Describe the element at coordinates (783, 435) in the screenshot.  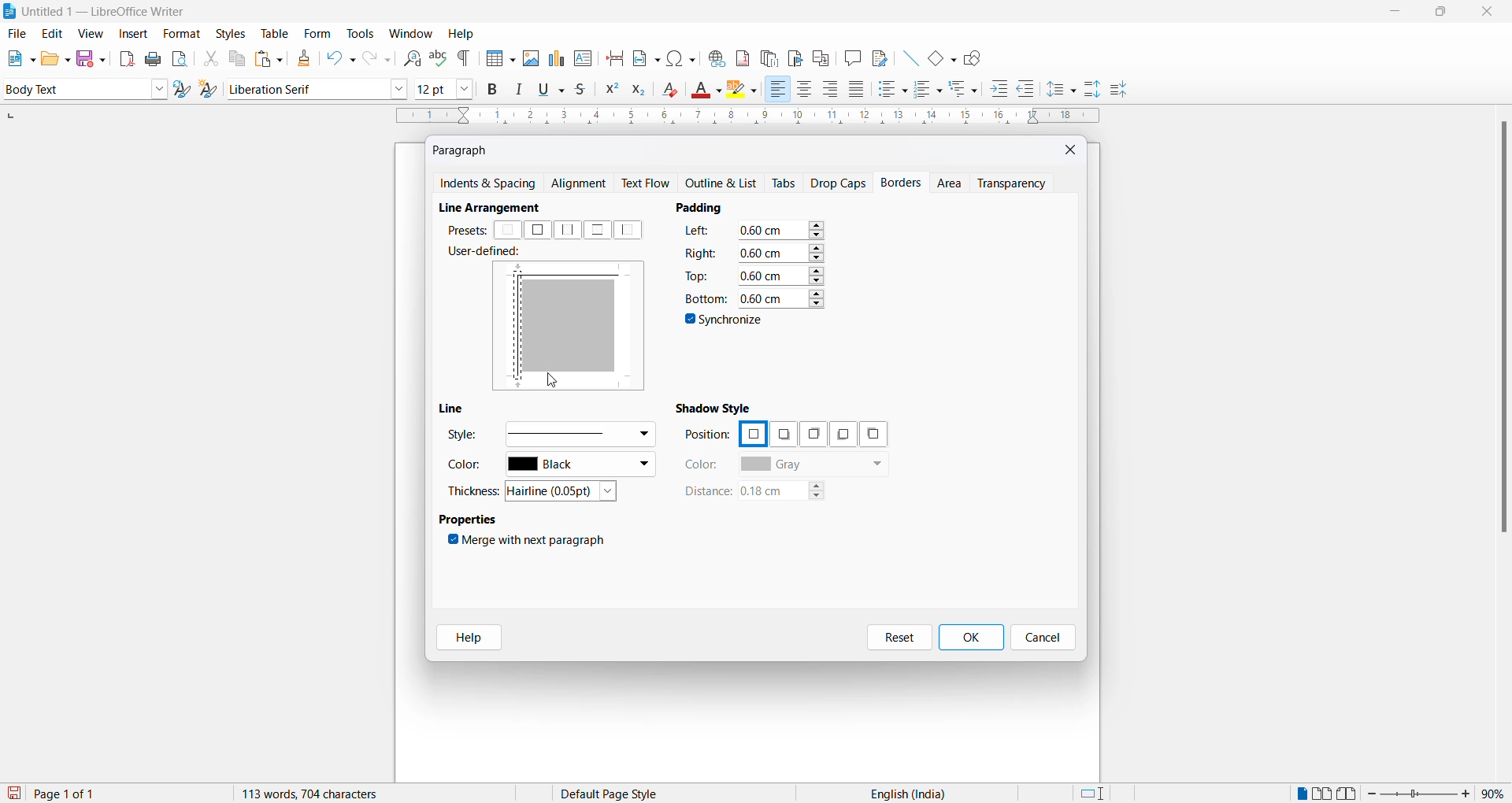
I see `position options` at that location.